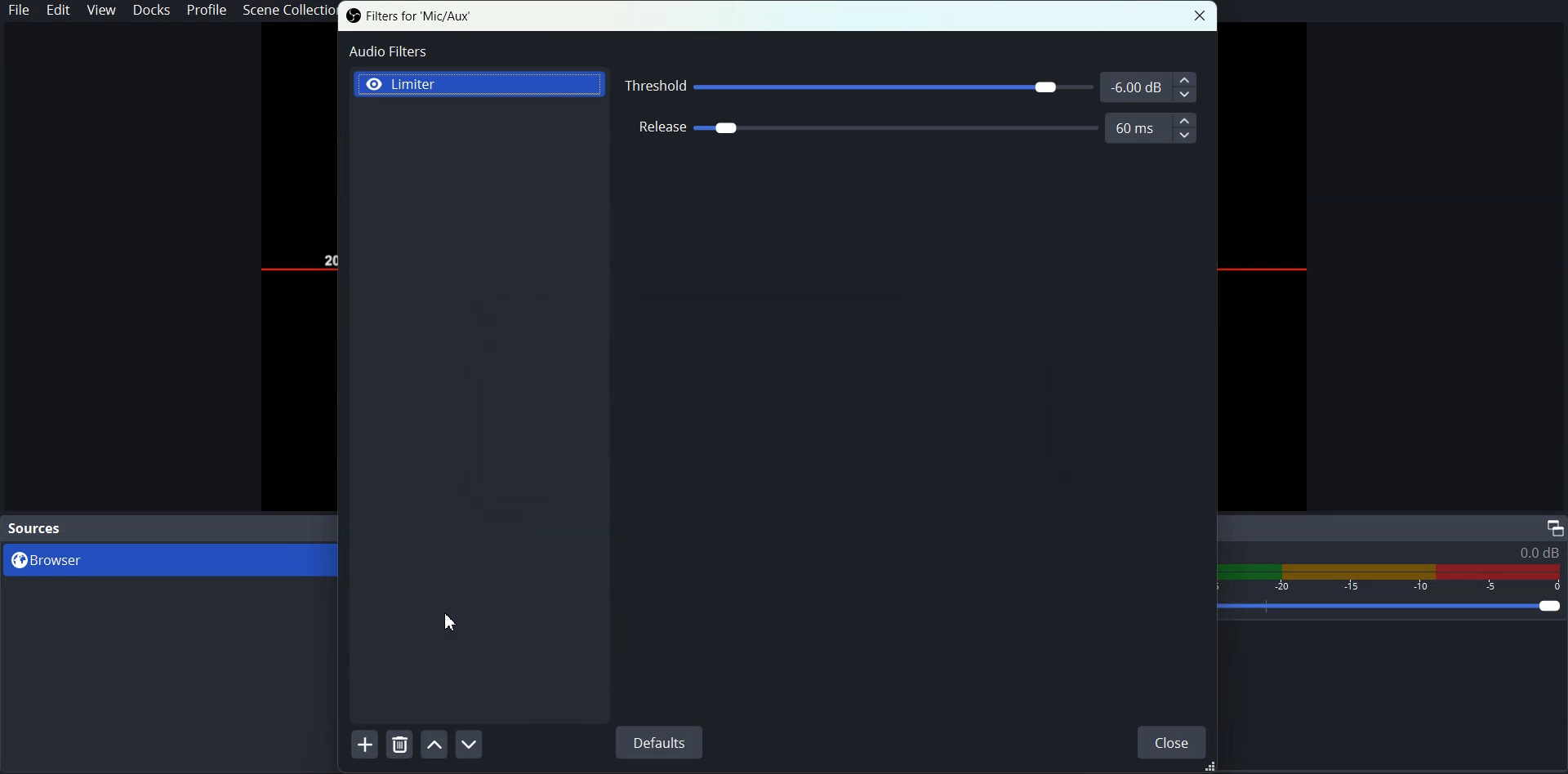  I want to click on Release, so click(907, 128).